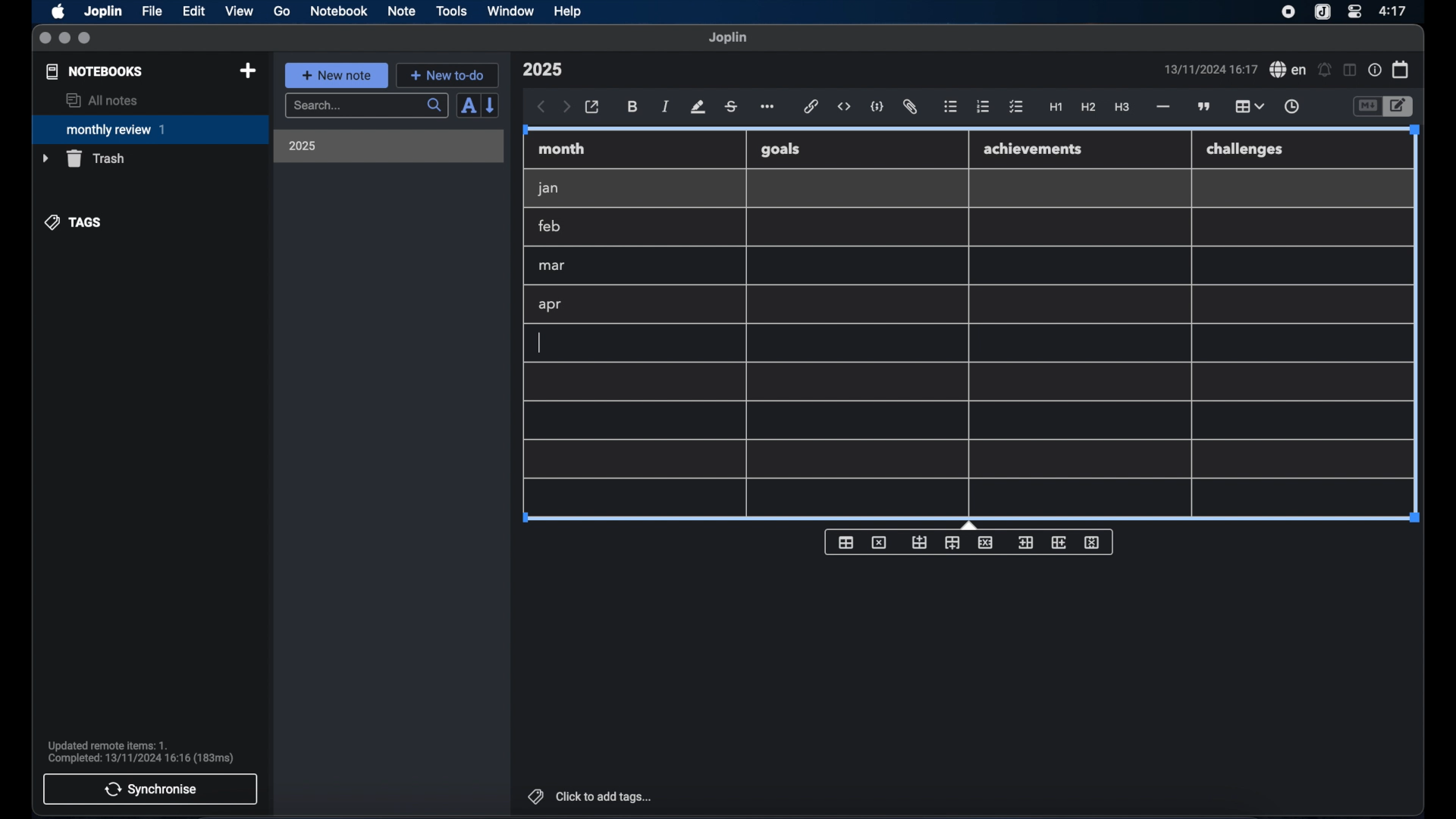 This screenshot has width=1456, height=819. What do you see at coordinates (45, 39) in the screenshot?
I see `close` at bounding box center [45, 39].